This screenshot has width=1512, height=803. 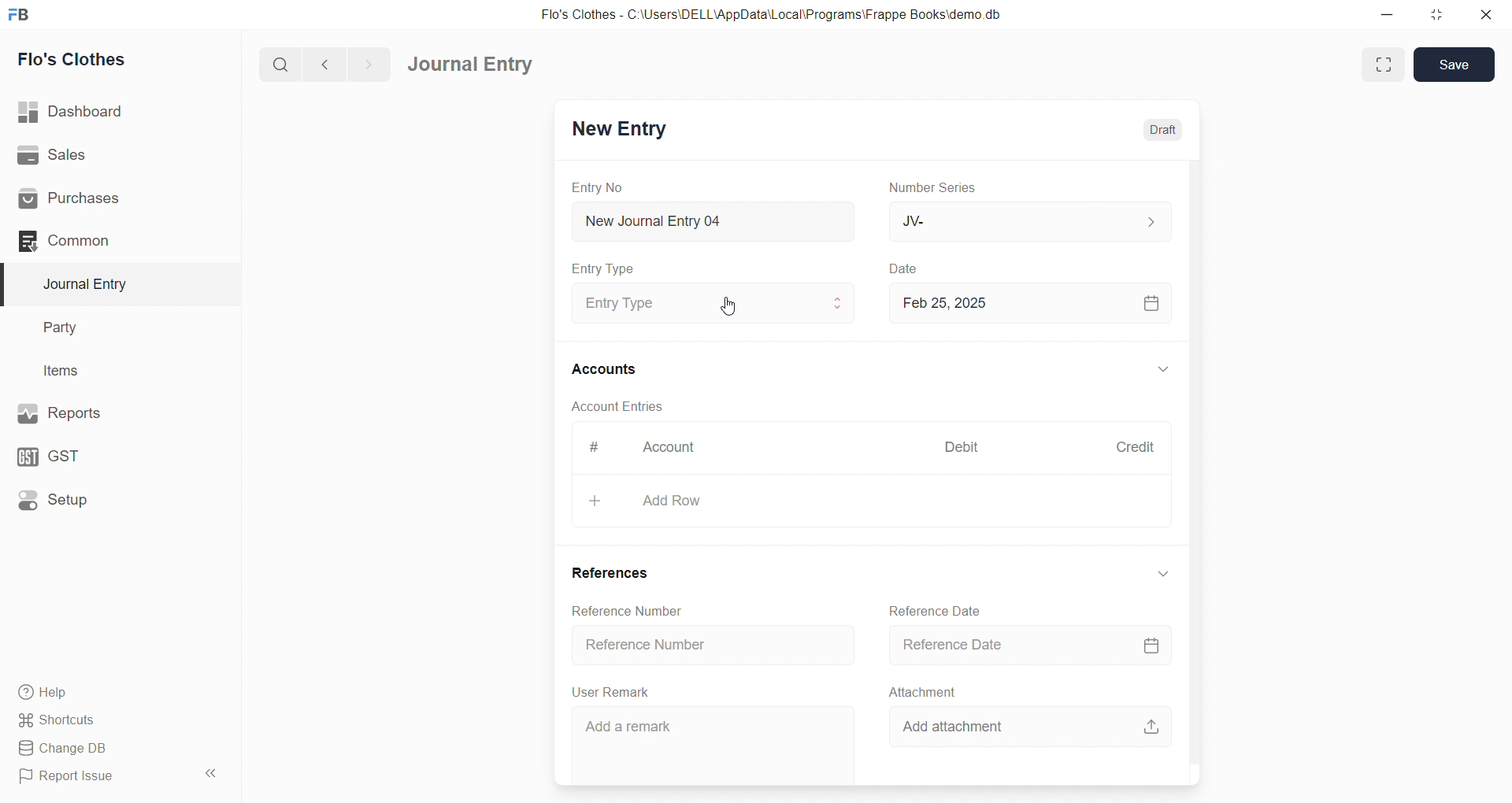 I want to click on Number Series, so click(x=936, y=187).